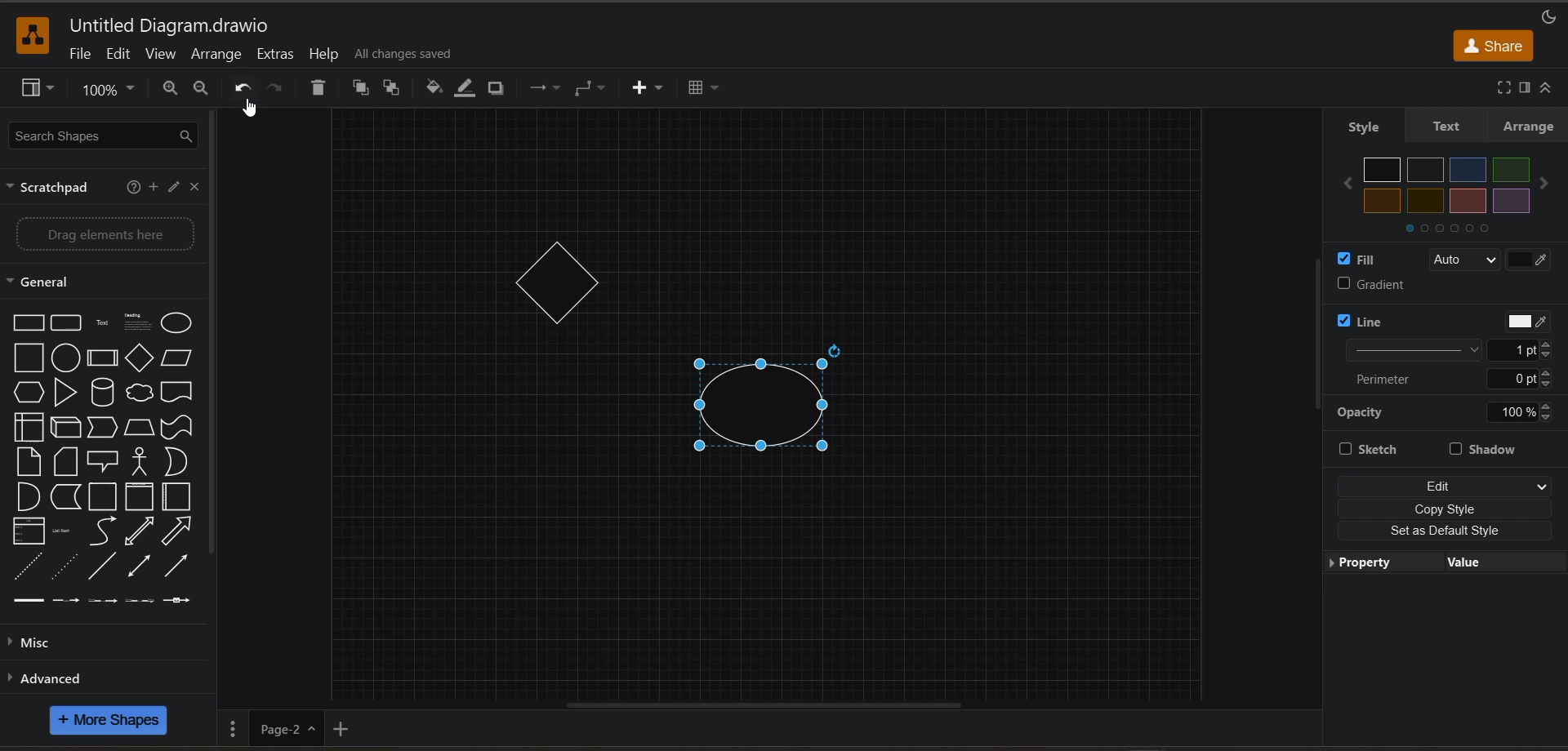 The height and width of the screenshot is (751, 1568). What do you see at coordinates (178, 462) in the screenshot?
I see `Or` at bounding box center [178, 462].